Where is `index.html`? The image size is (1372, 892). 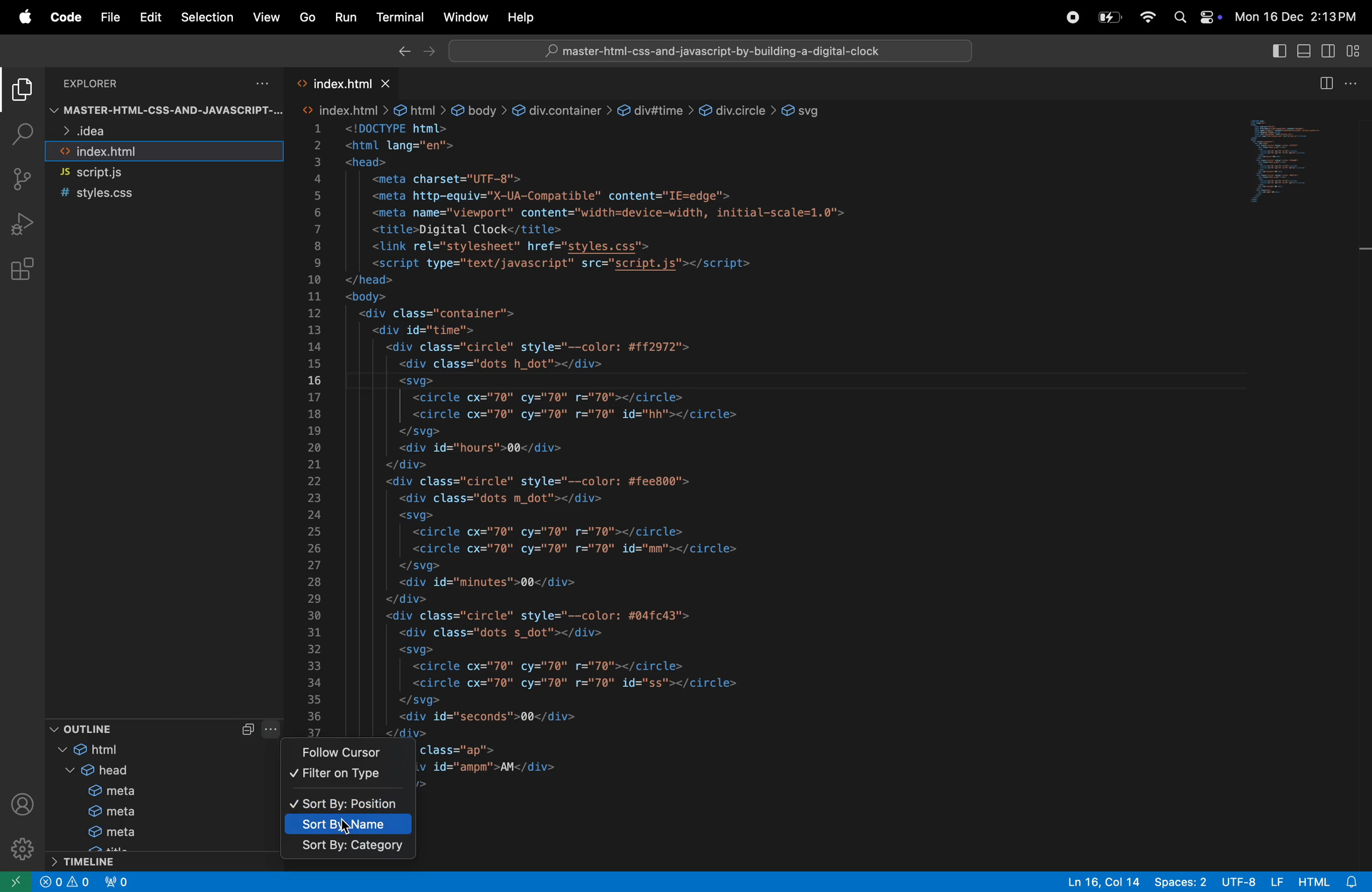 index.html is located at coordinates (163, 152).